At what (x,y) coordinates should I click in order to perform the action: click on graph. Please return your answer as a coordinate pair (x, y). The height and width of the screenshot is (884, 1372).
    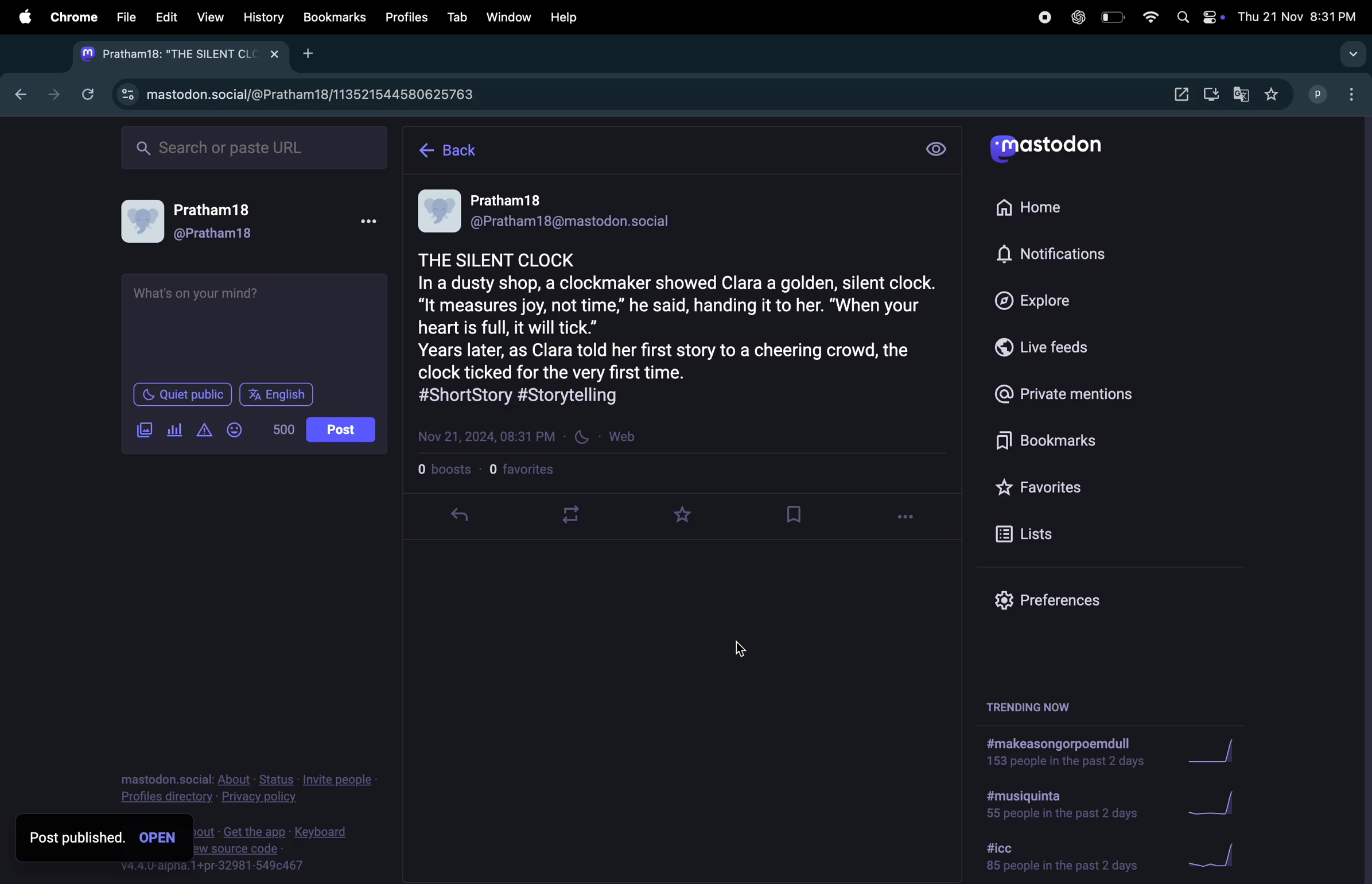
    Looking at the image, I should click on (1216, 804).